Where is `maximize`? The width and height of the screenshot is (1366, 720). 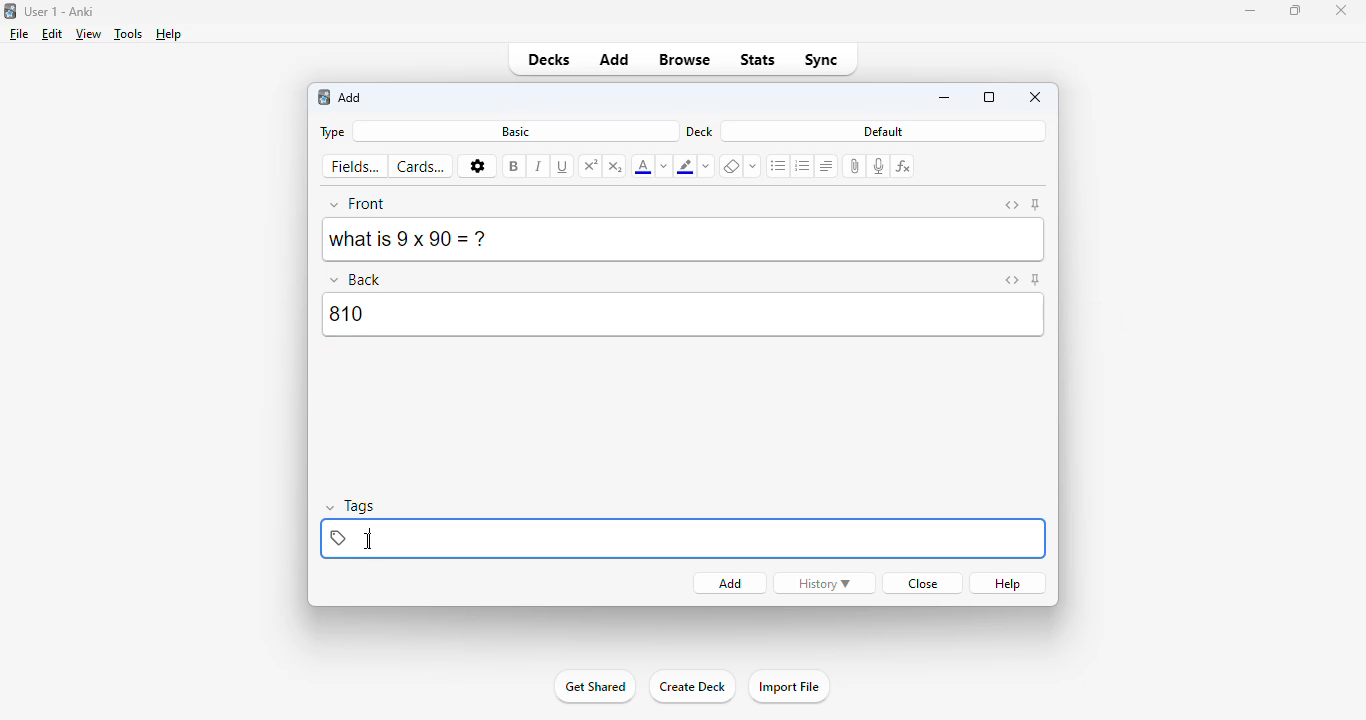
maximize is located at coordinates (1296, 10).